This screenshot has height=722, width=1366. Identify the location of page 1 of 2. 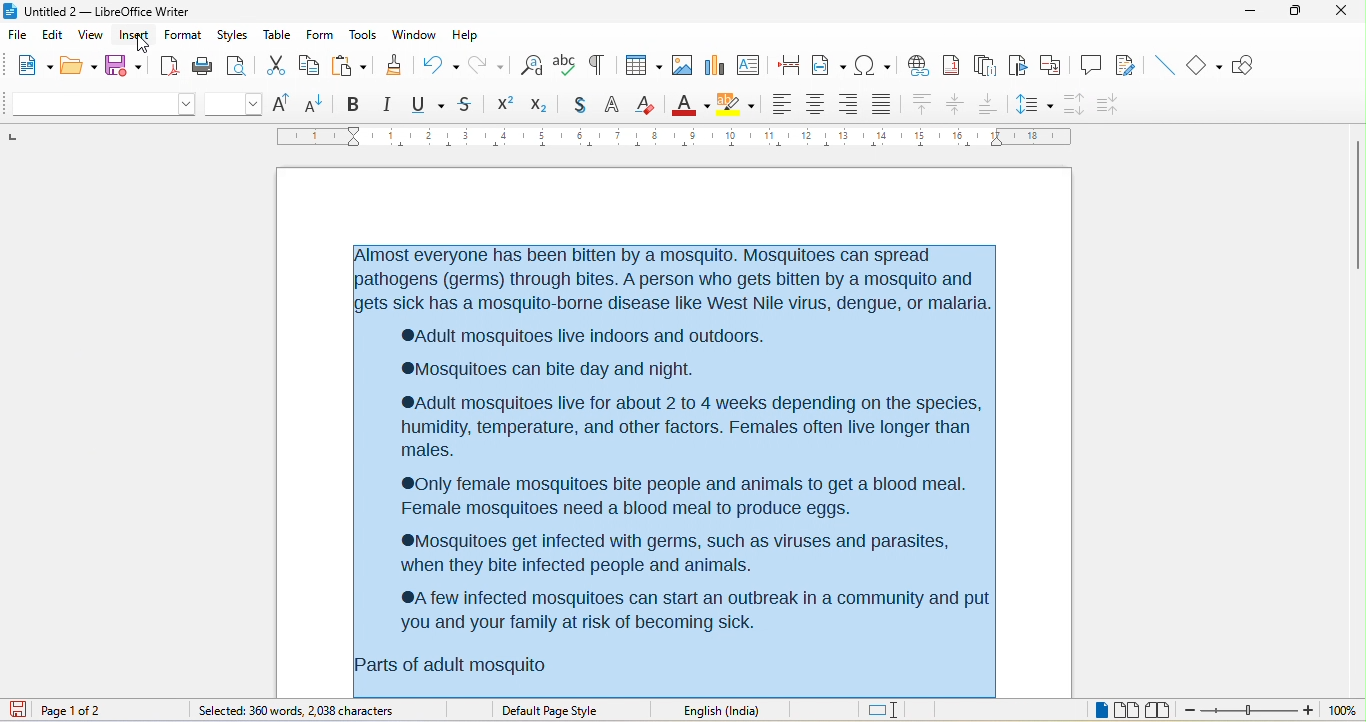
(79, 710).